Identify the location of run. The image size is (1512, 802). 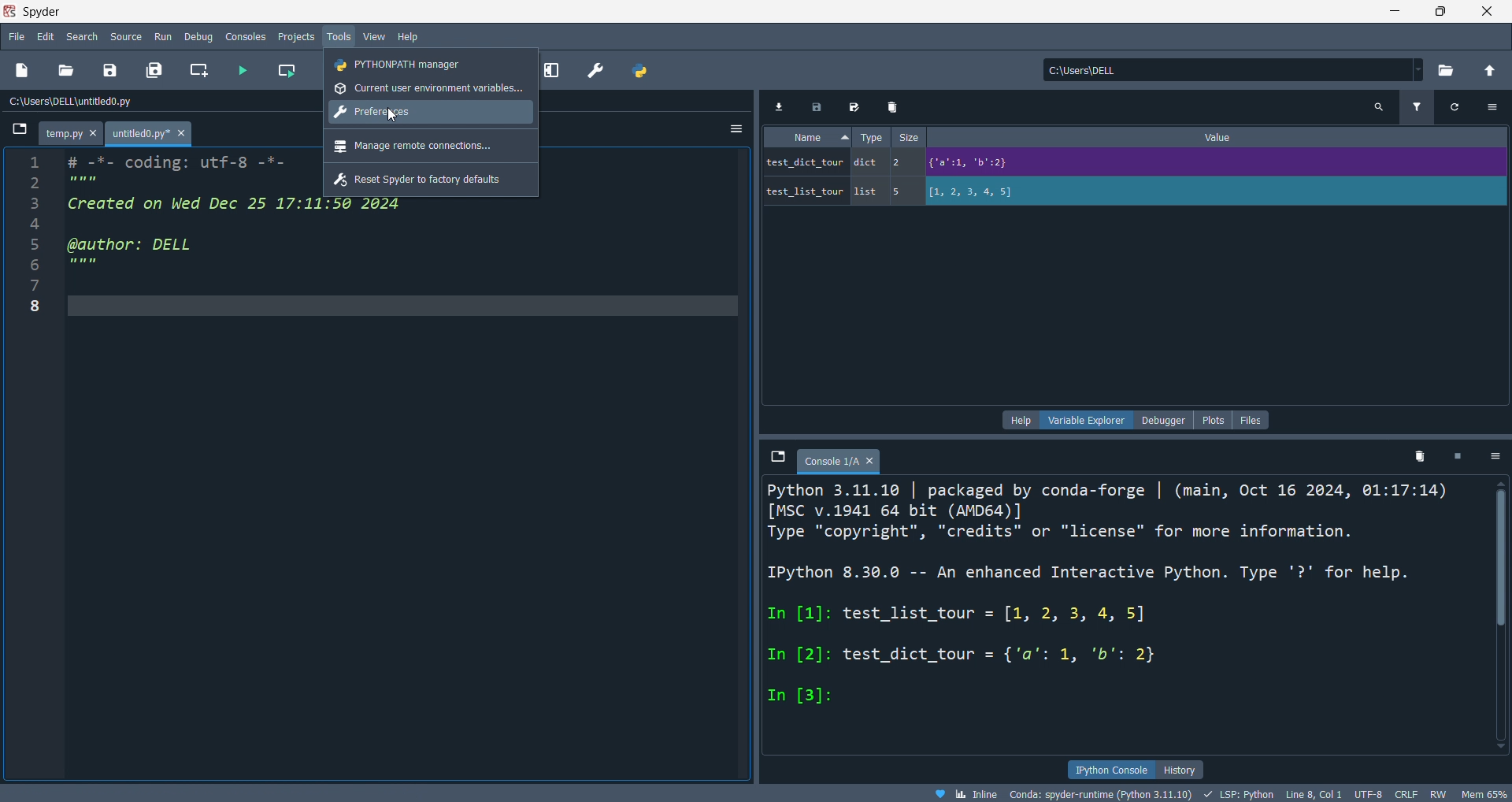
(165, 36).